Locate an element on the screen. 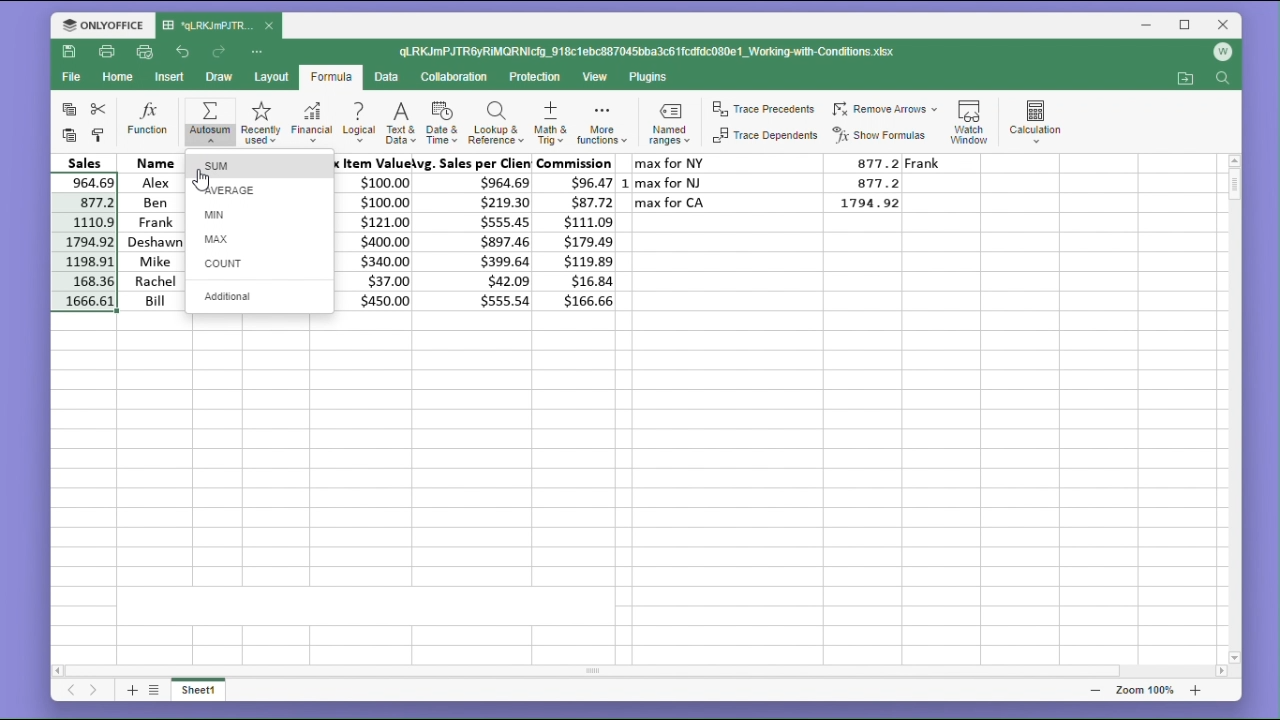 This screenshot has height=720, width=1280. horizontal scroll bar is located at coordinates (642, 671).